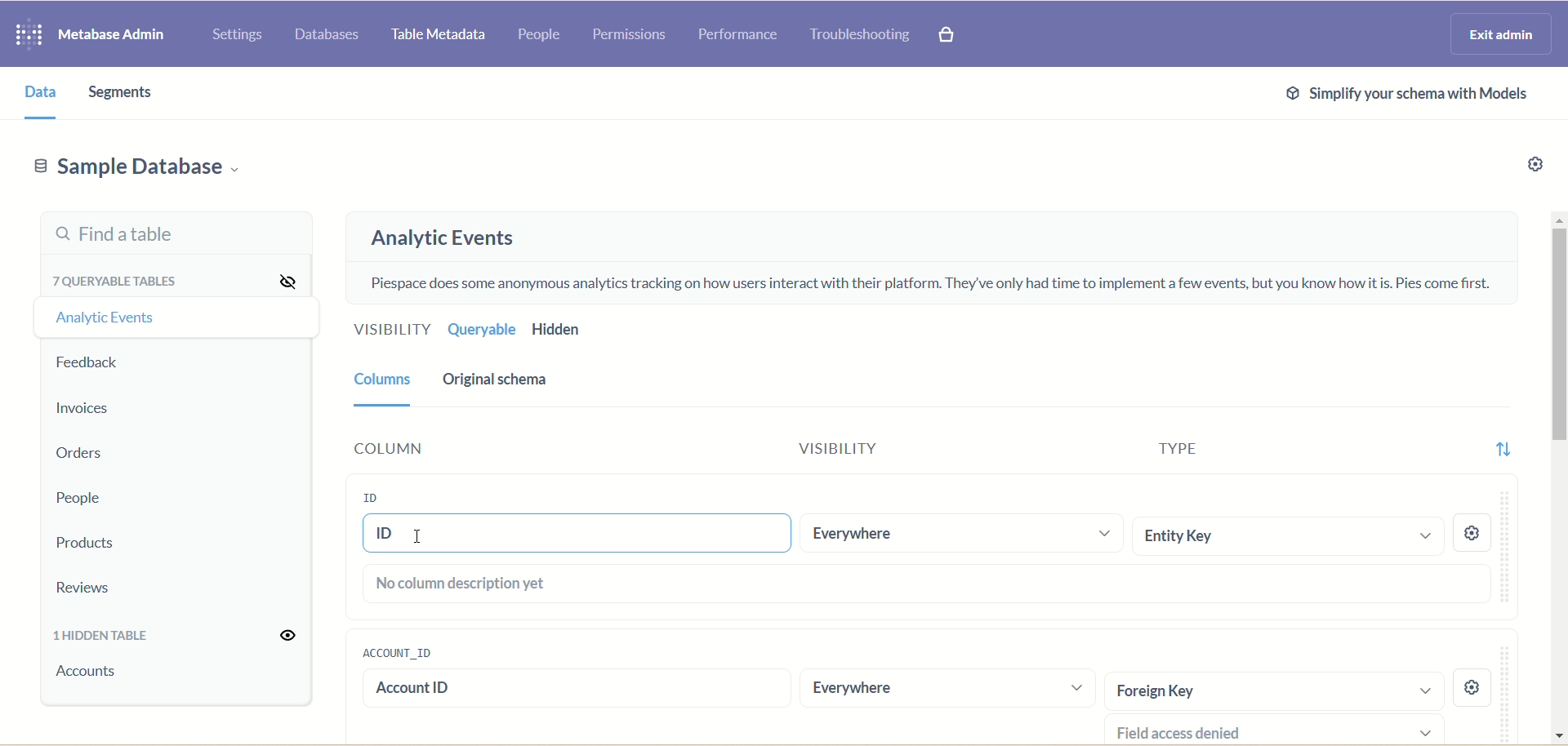 The height and width of the screenshot is (746, 1568). What do you see at coordinates (575, 534) in the screenshot?
I see `ID` at bounding box center [575, 534].